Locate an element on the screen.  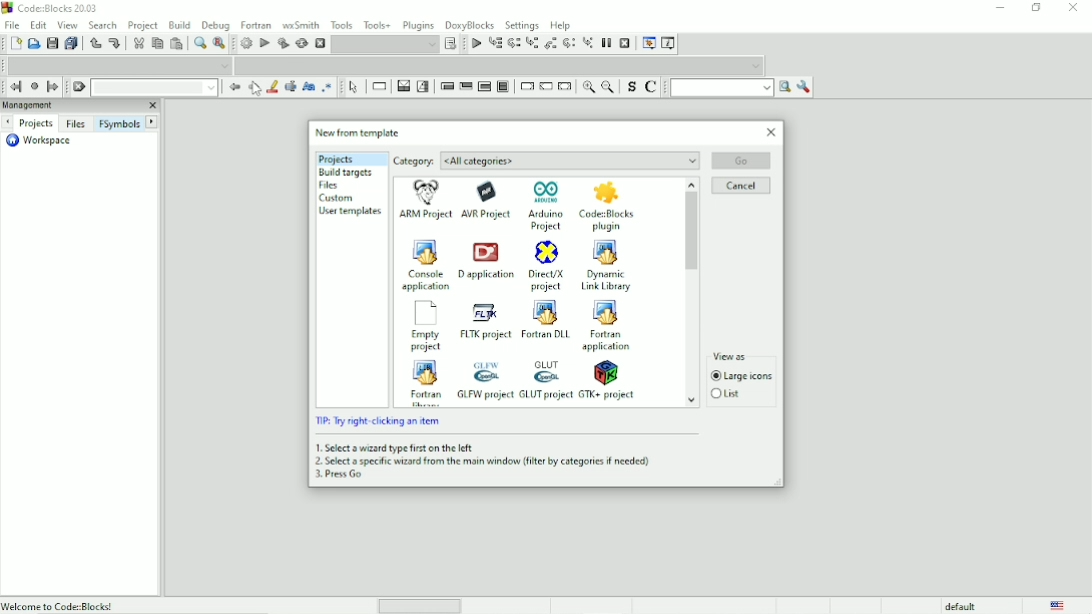
GLUT project is located at coordinates (546, 380).